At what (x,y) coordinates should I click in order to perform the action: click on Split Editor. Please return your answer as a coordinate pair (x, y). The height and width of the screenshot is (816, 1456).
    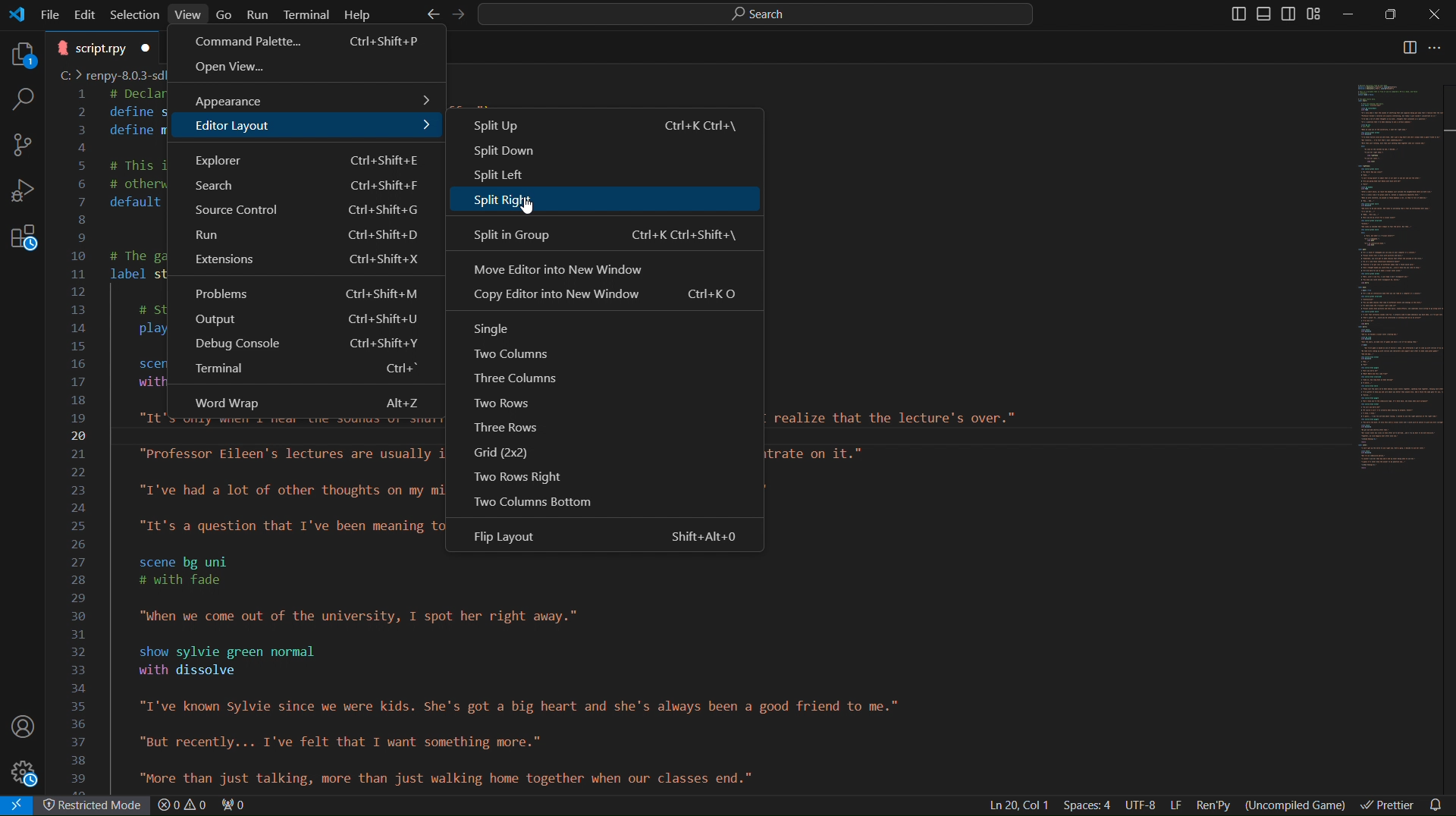
    Looking at the image, I should click on (1410, 49).